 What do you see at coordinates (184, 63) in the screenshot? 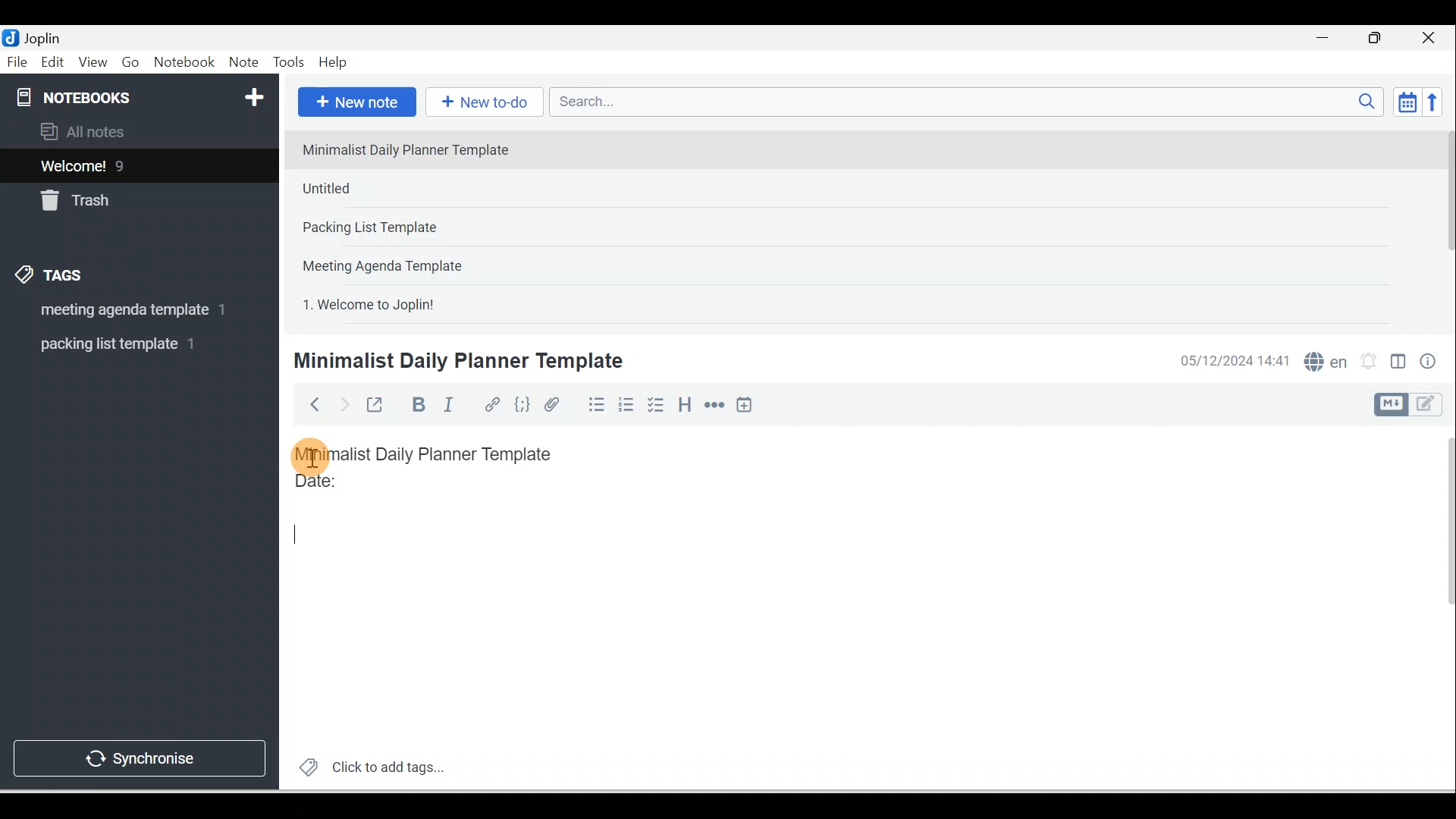
I see `Notebook` at bounding box center [184, 63].